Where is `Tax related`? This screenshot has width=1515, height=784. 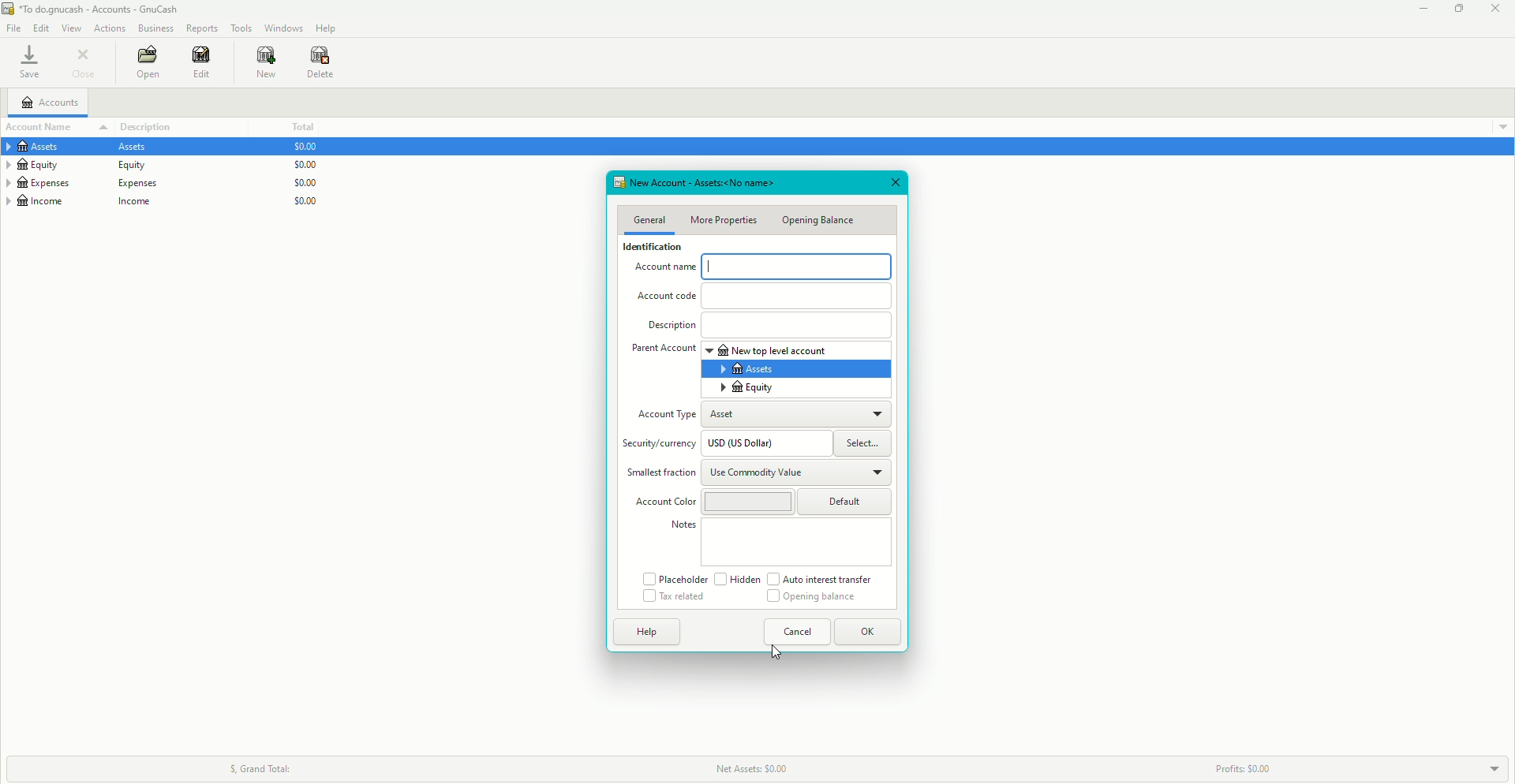 Tax related is located at coordinates (675, 598).